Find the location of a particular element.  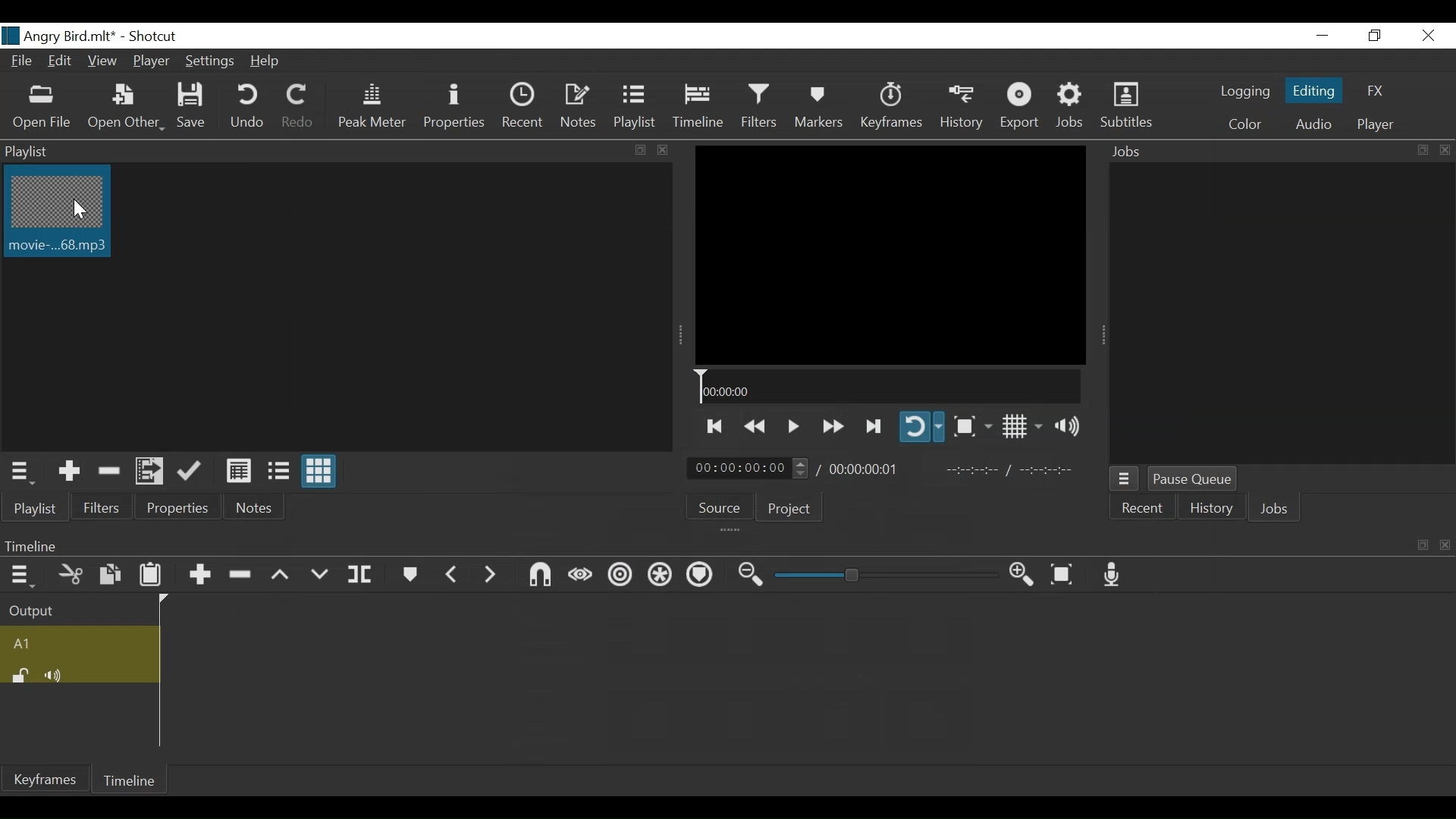

Ripple markers is located at coordinates (701, 574).